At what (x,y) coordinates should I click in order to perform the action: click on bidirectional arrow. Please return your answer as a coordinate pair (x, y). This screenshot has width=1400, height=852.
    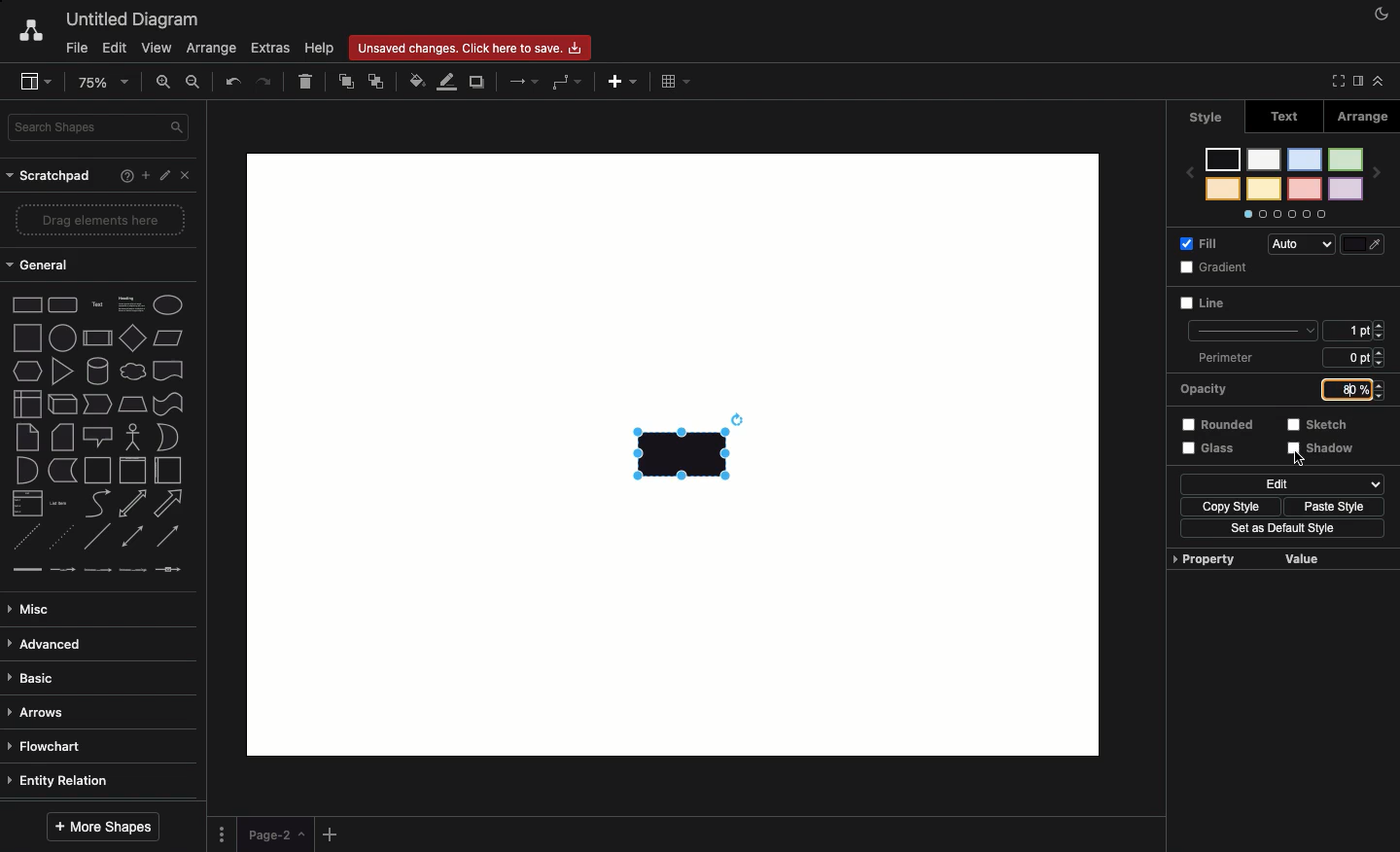
    Looking at the image, I should click on (133, 505).